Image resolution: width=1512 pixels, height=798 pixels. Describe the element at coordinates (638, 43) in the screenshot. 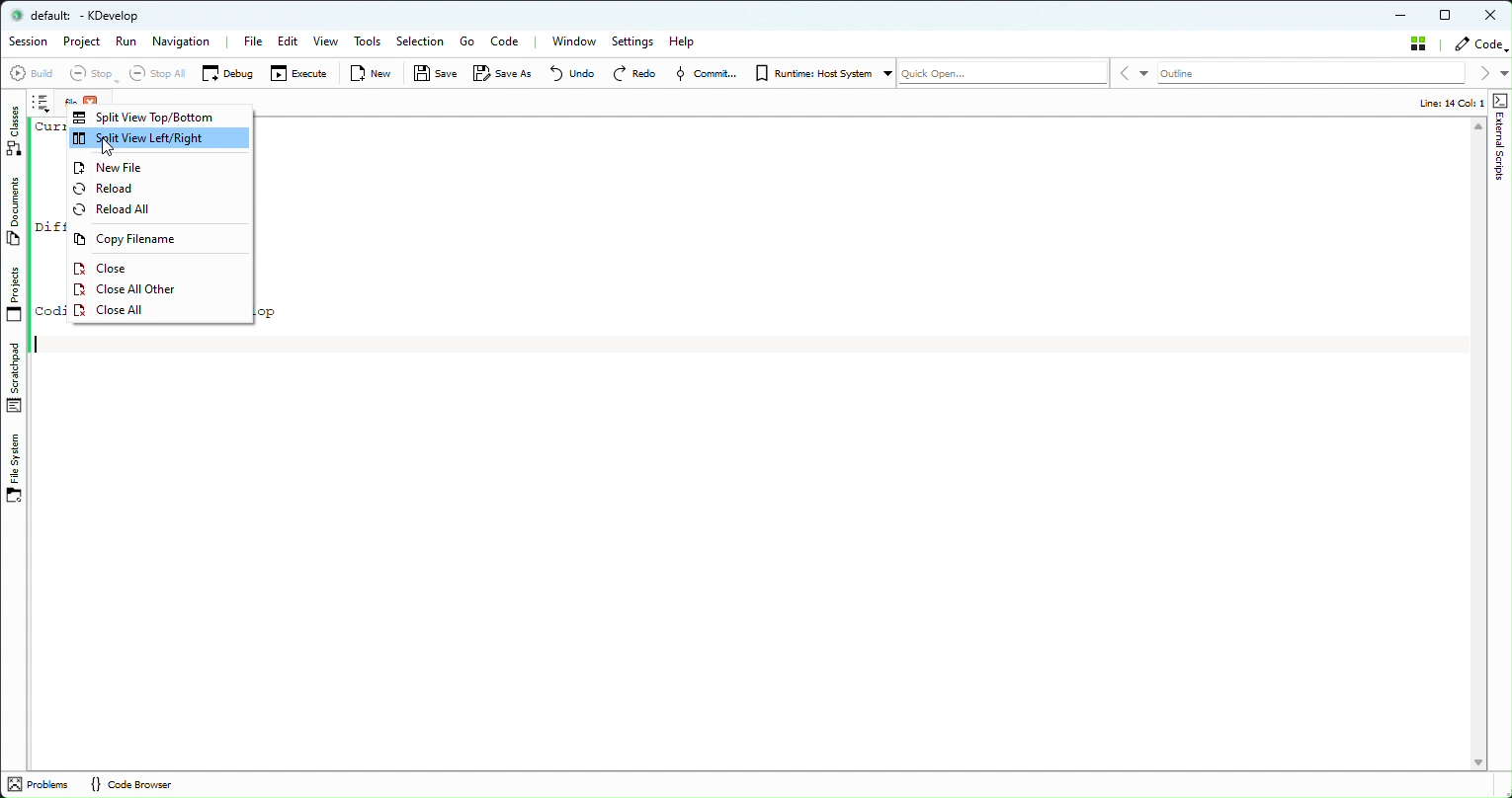

I see `Settings` at that location.